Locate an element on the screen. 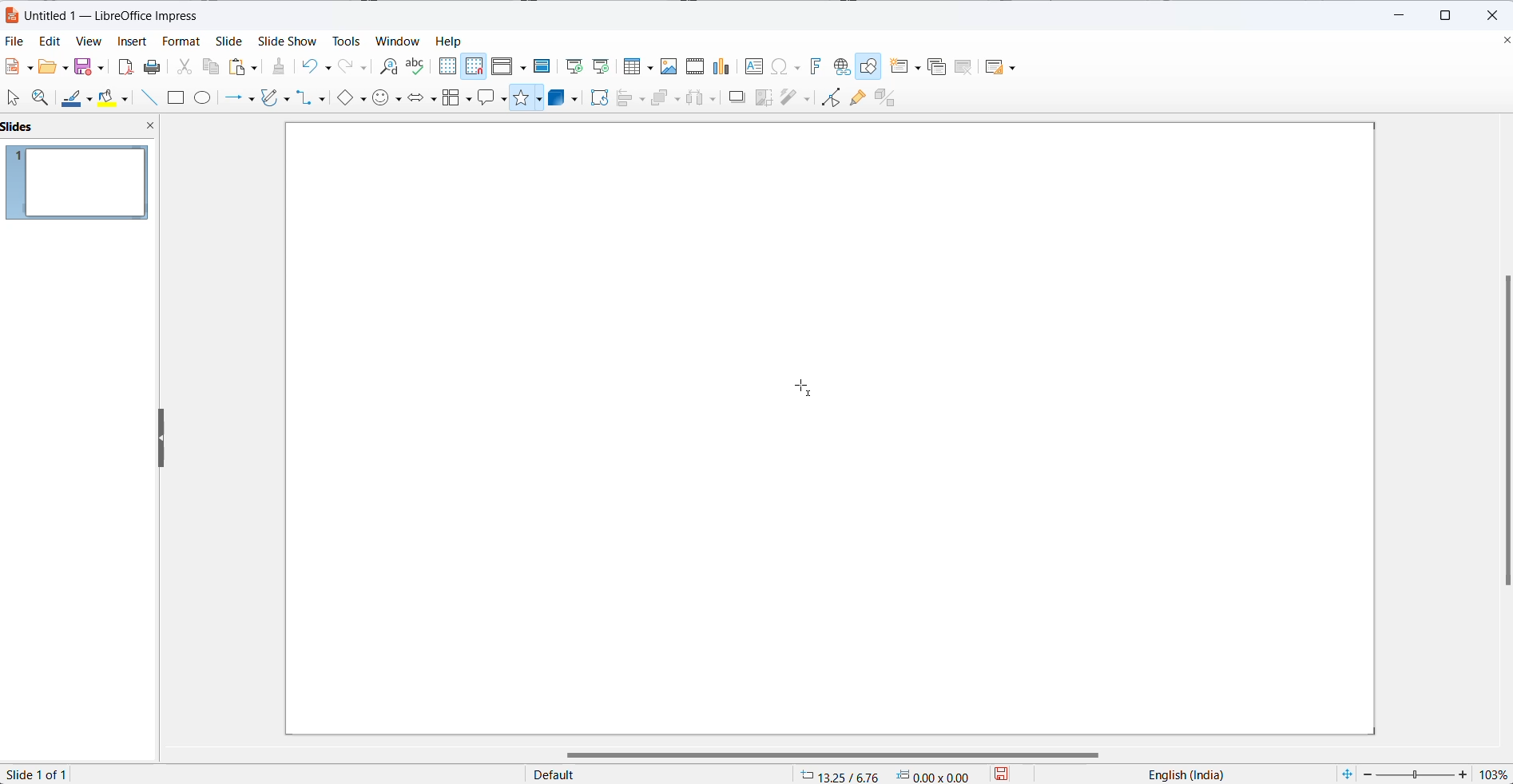  copy is located at coordinates (212, 69).